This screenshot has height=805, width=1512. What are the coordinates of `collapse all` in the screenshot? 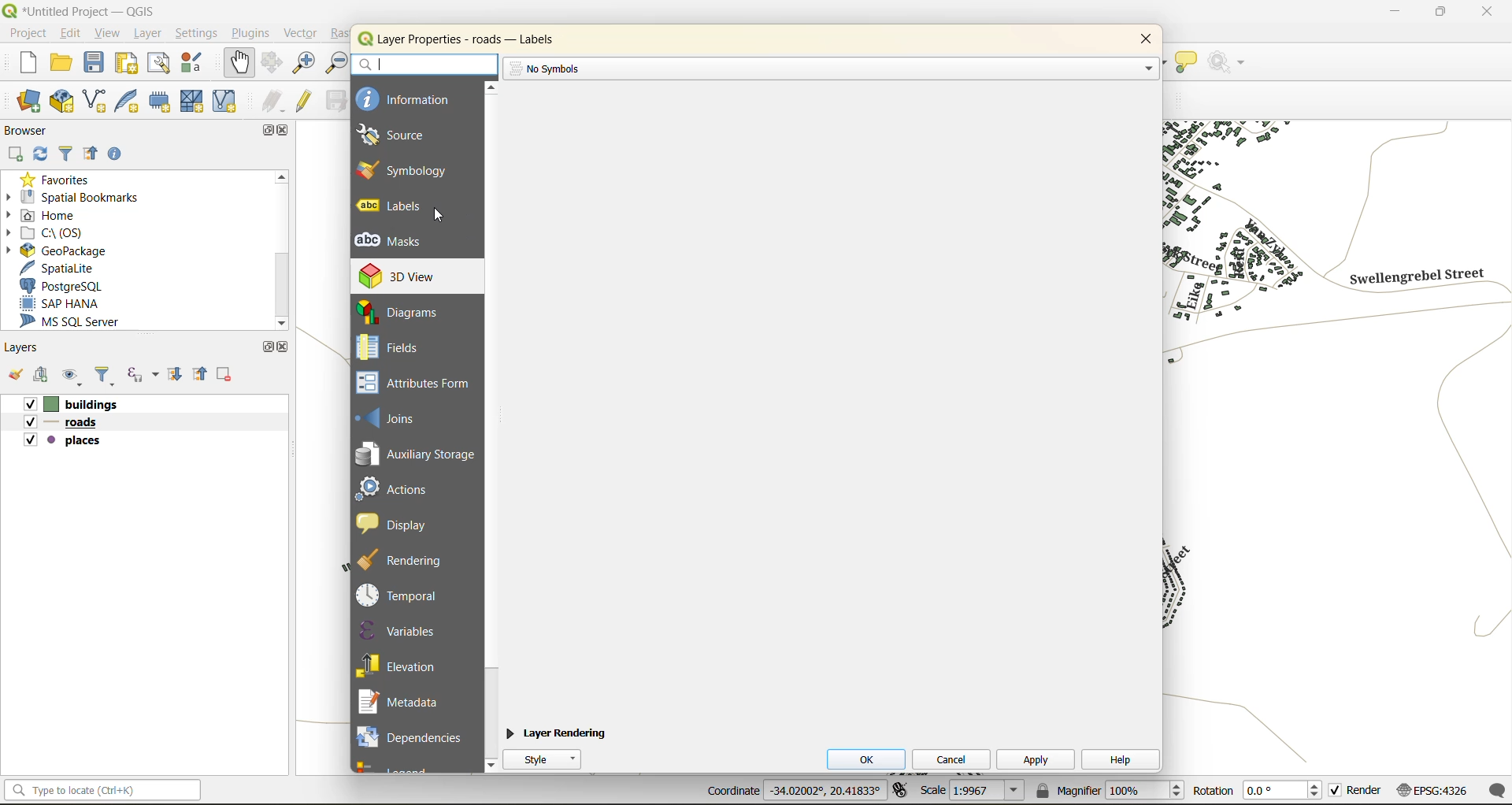 It's located at (202, 377).